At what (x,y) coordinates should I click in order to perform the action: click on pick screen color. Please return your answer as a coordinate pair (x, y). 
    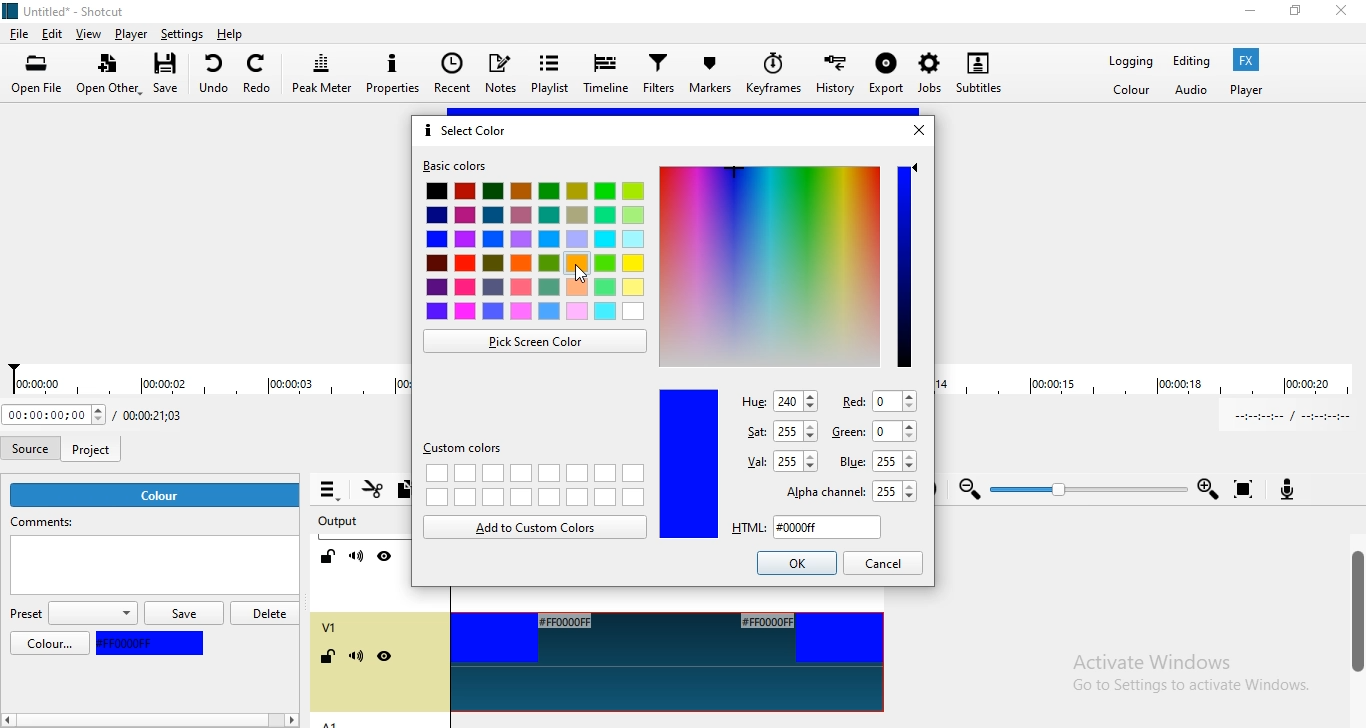
    Looking at the image, I should click on (536, 342).